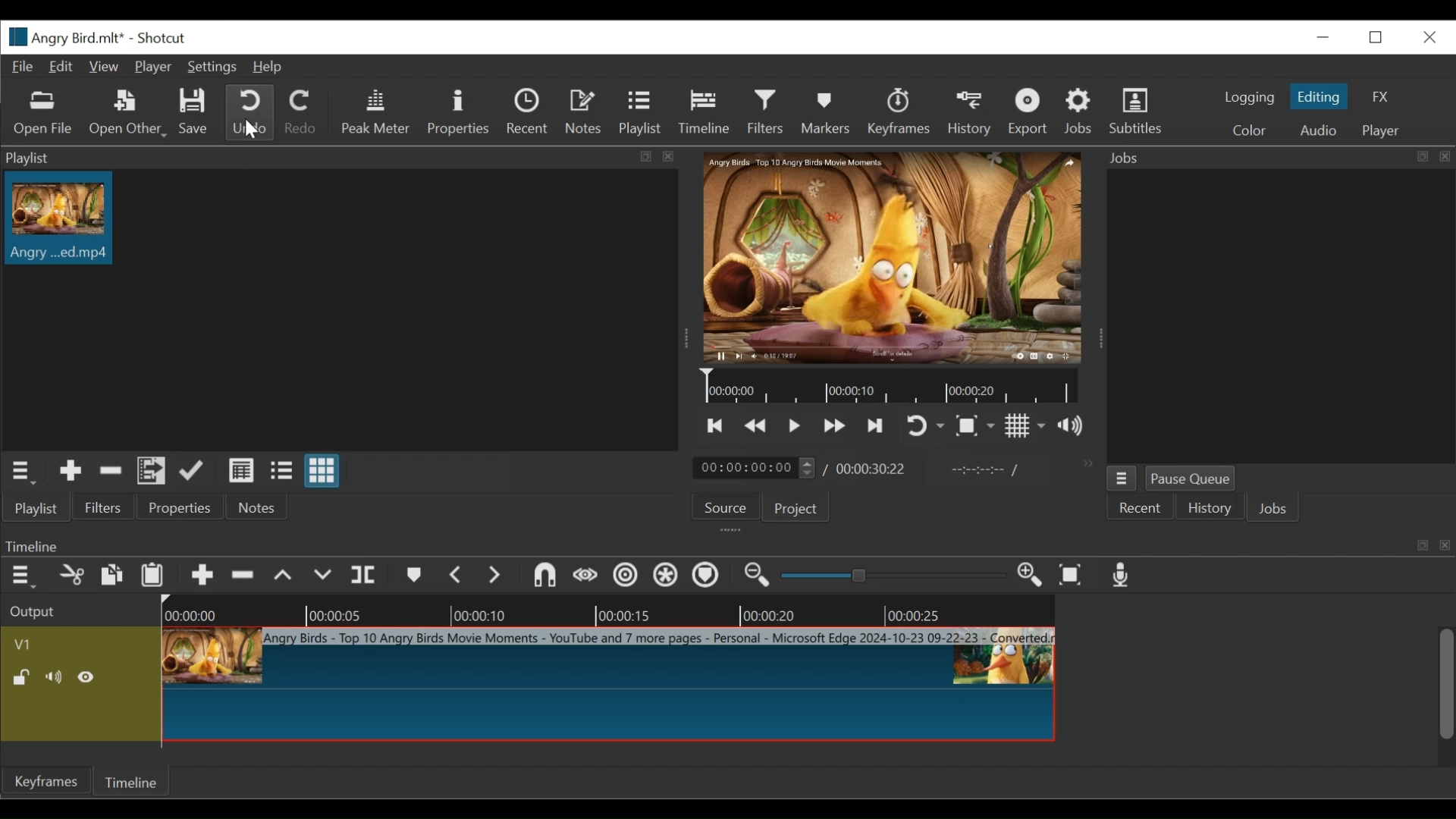  What do you see at coordinates (872, 468) in the screenshot?
I see `Total duration` at bounding box center [872, 468].